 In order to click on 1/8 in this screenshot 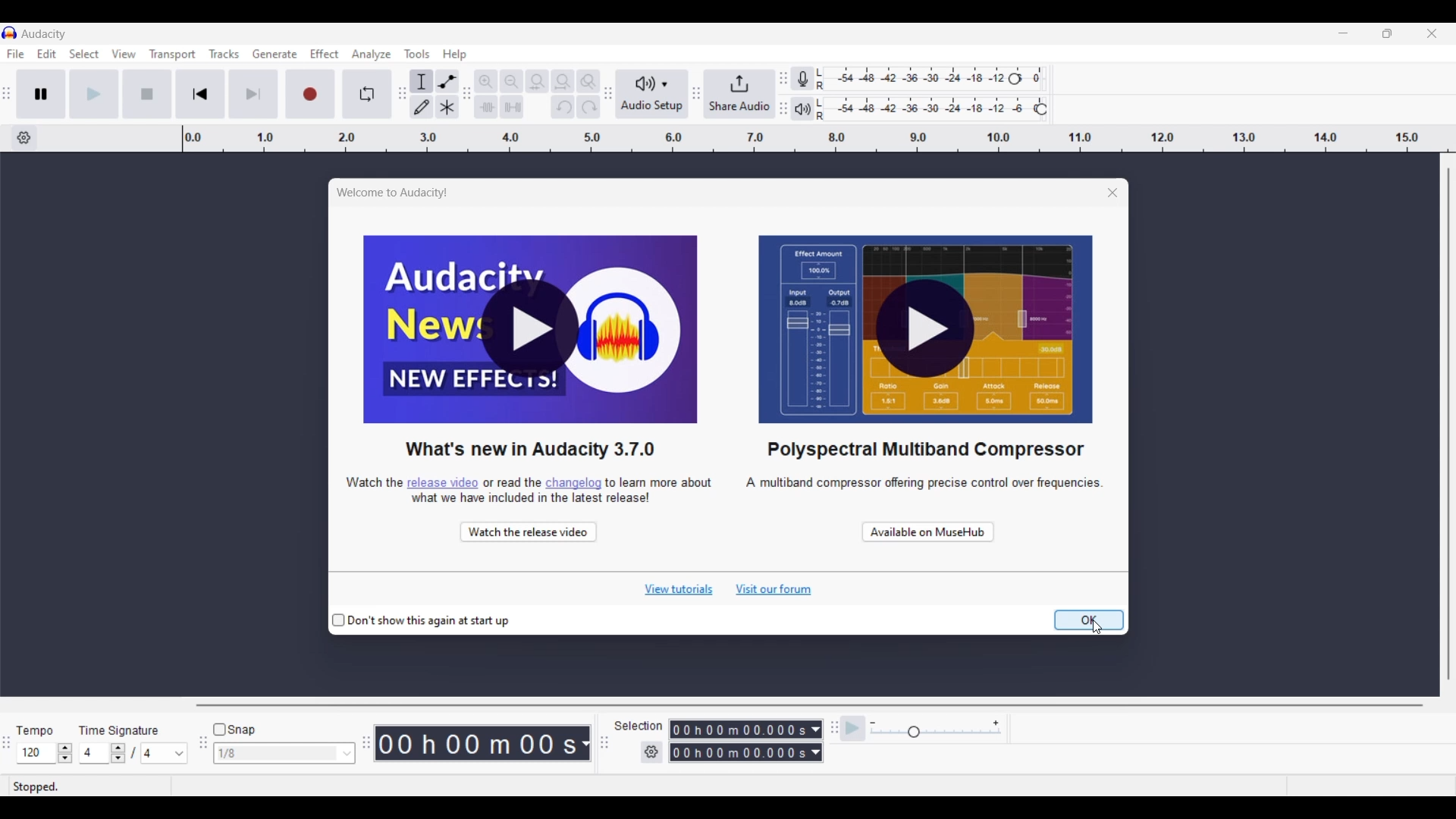, I will do `click(277, 754)`.